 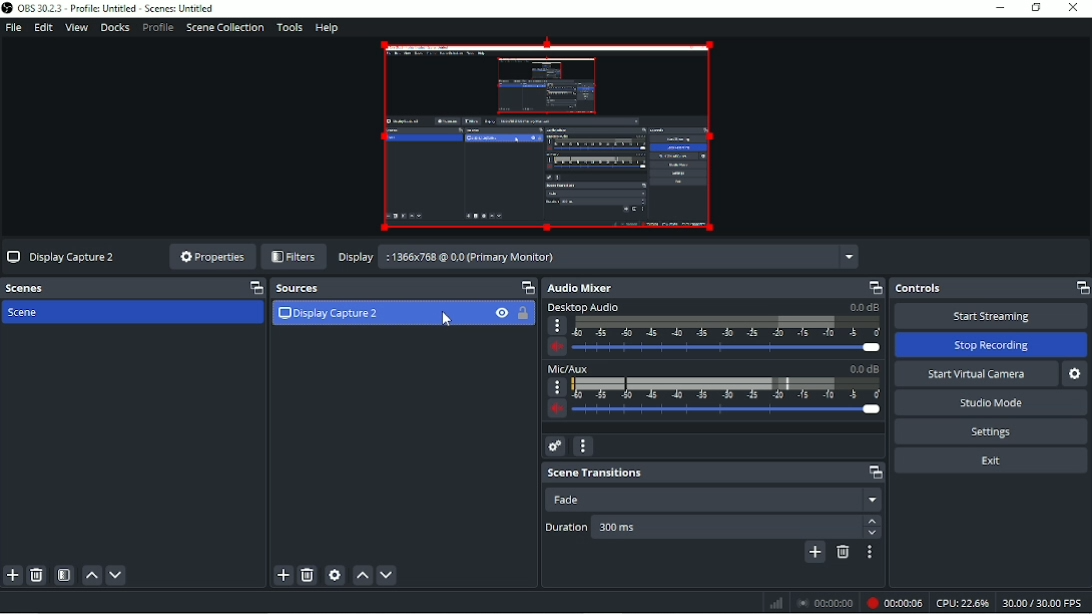 I want to click on Scene transitions, so click(x=714, y=473).